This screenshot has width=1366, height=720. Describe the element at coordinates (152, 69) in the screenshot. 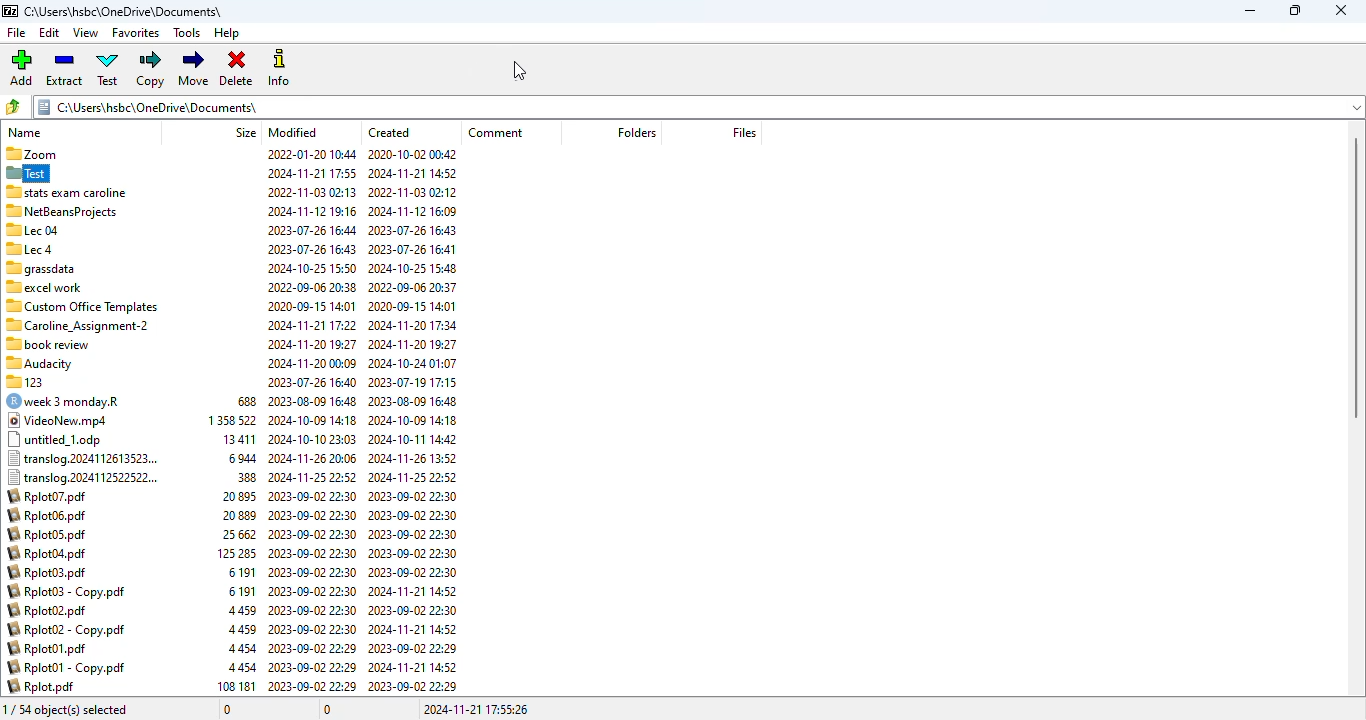

I see `copy` at that location.